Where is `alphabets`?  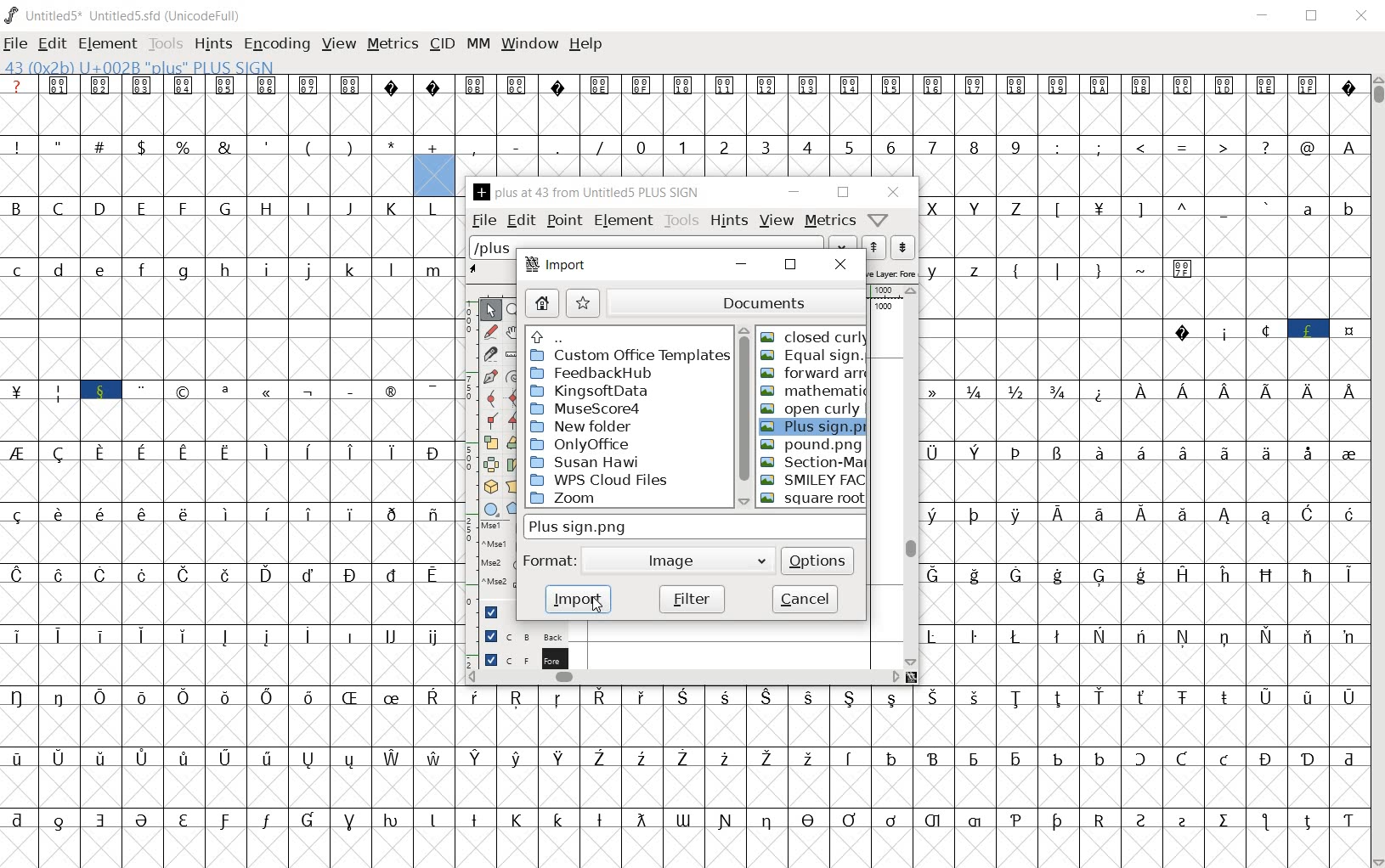 alphabets is located at coordinates (227, 228).